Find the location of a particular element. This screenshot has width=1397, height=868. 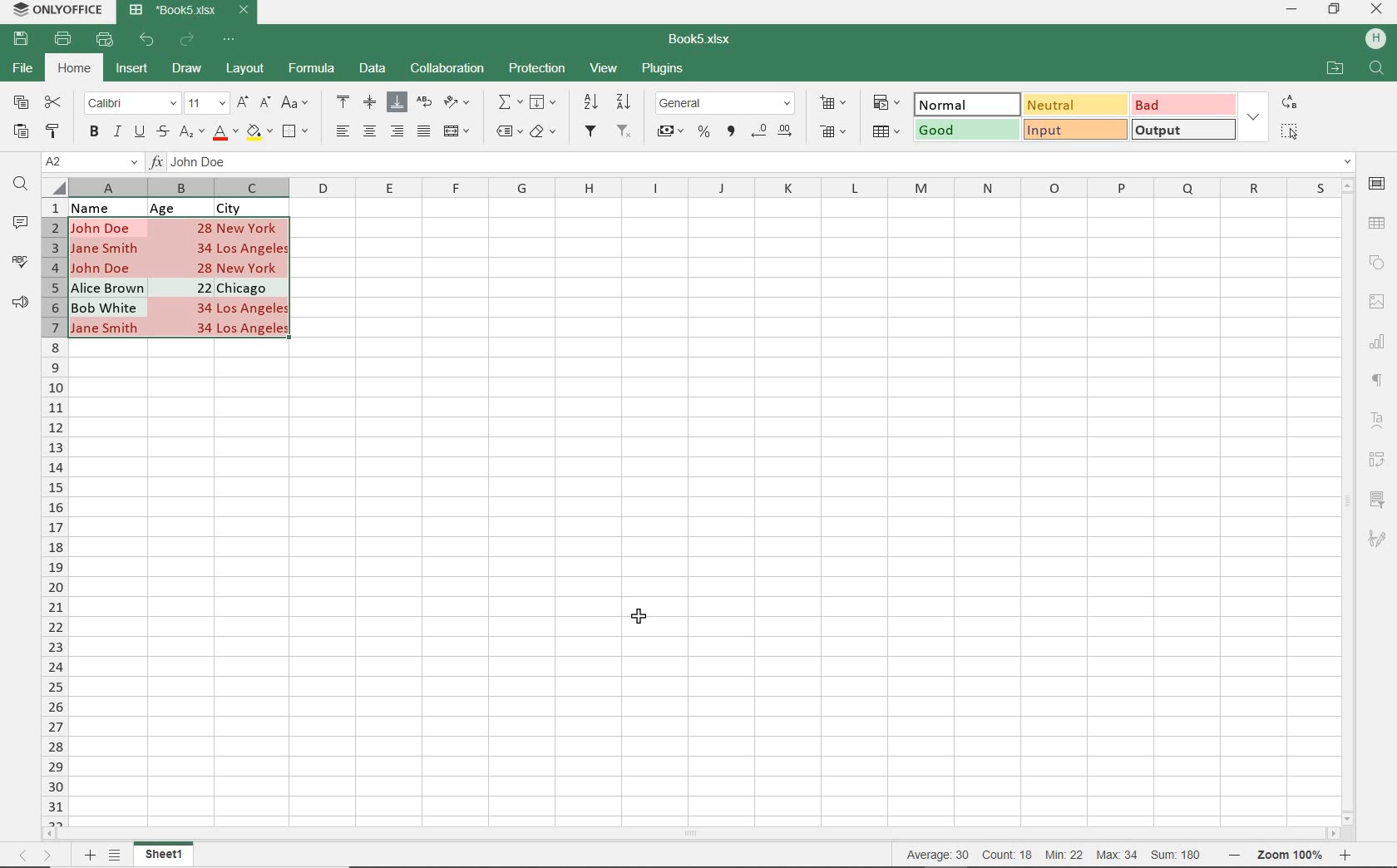

PERCENT STYLE is located at coordinates (703, 132).